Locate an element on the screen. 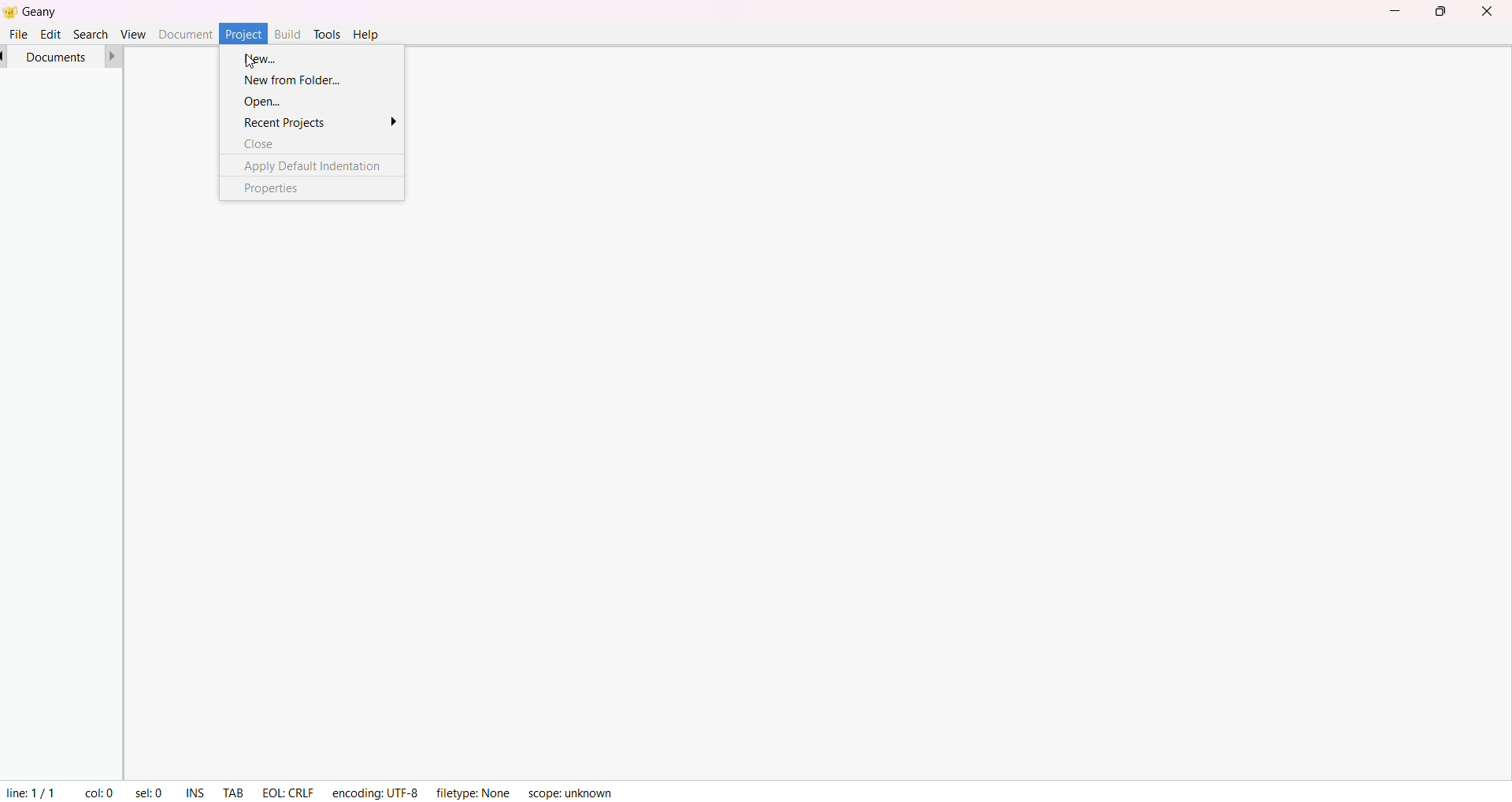 The height and width of the screenshot is (802, 1512). filetype: None is located at coordinates (470, 790).